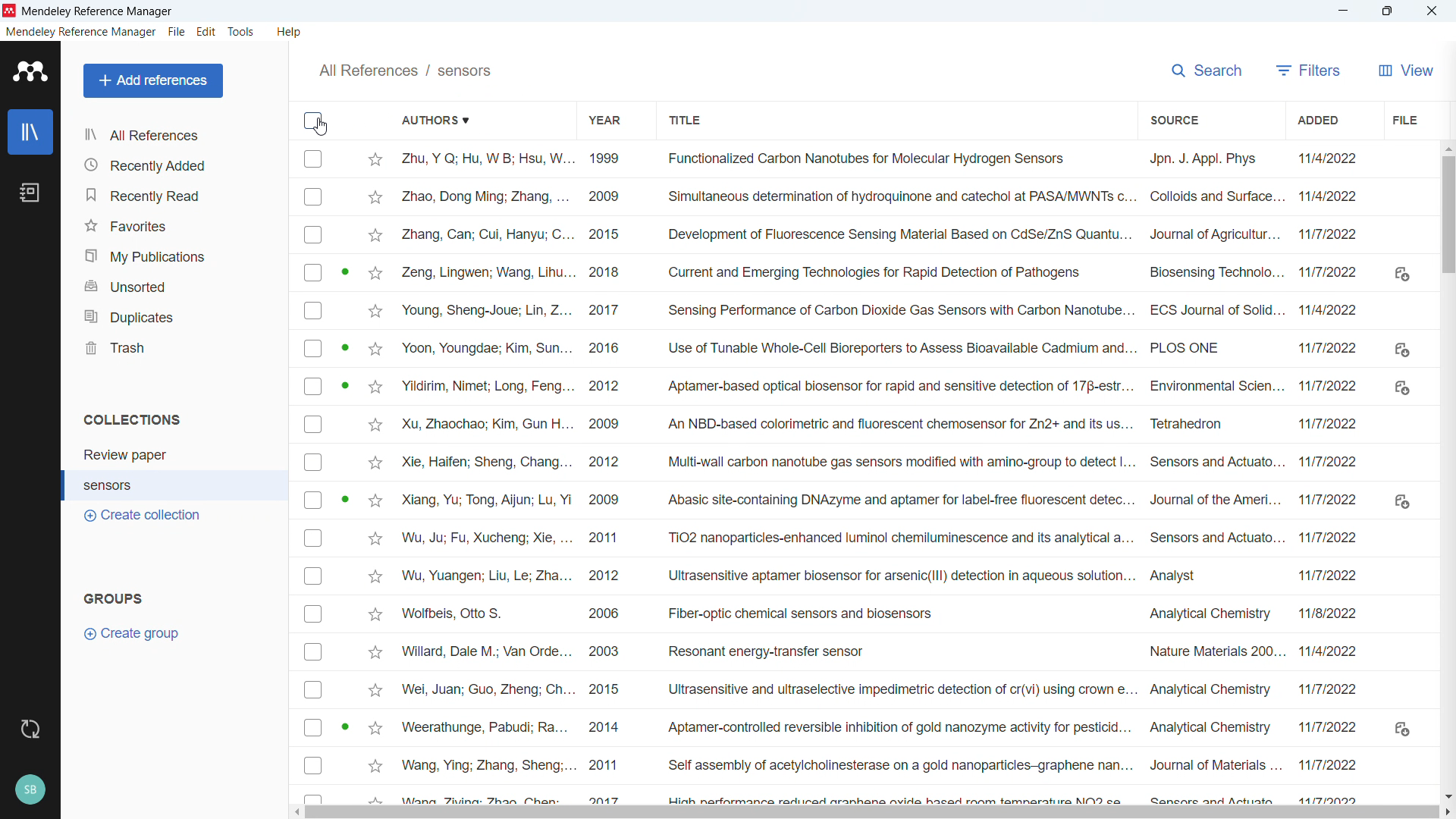 The image size is (1456, 819). Describe the element at coordinates (487, 475) in the screenshot. I see `Authors of individual entries ` at that location.